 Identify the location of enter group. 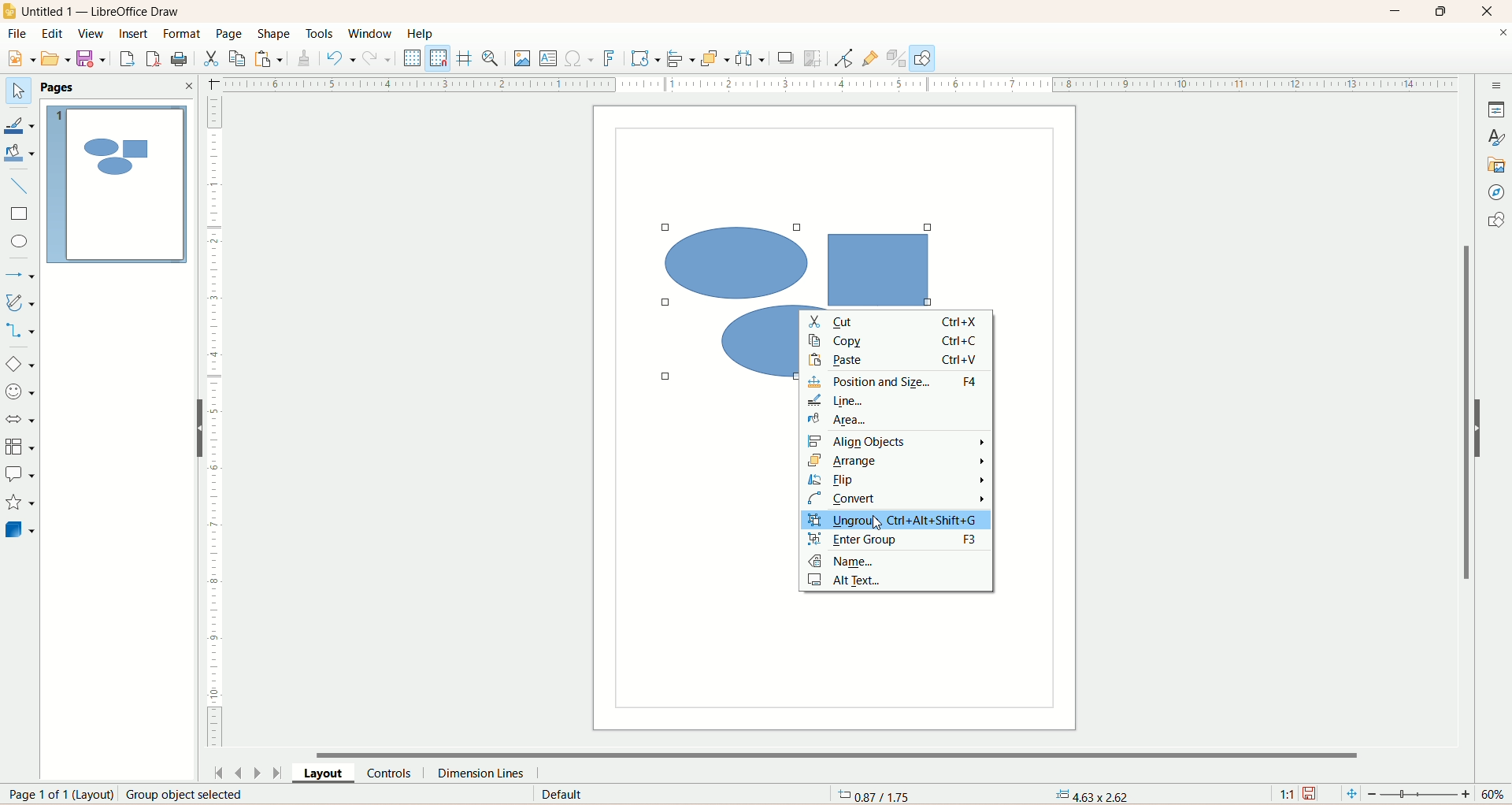
(896, 541).